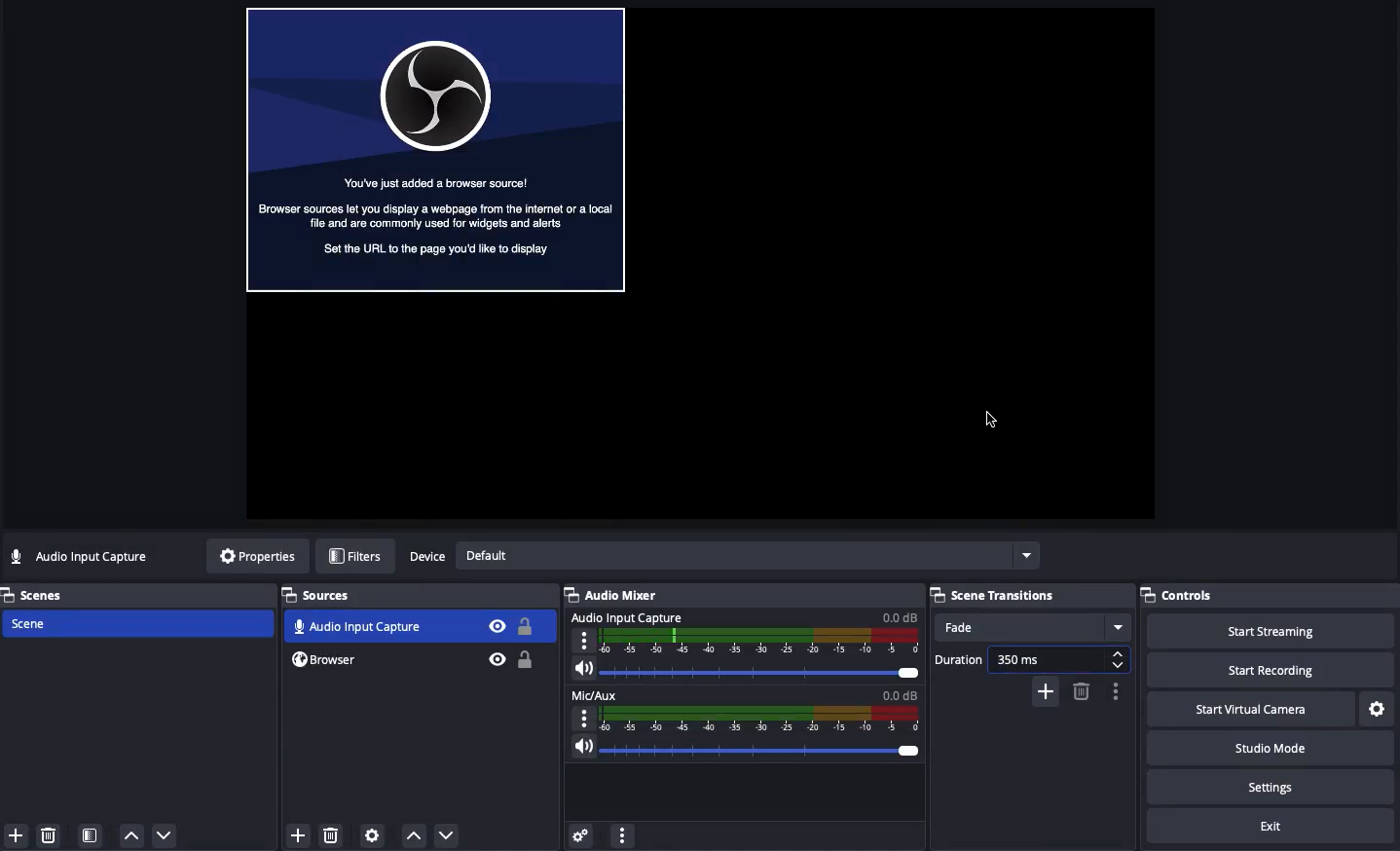 This screenshot has width=1400, height=851. What do you see at coordinates (695, 595) in the screenshot?
I see `Audio Mixer` at bounding box center [695, 595].